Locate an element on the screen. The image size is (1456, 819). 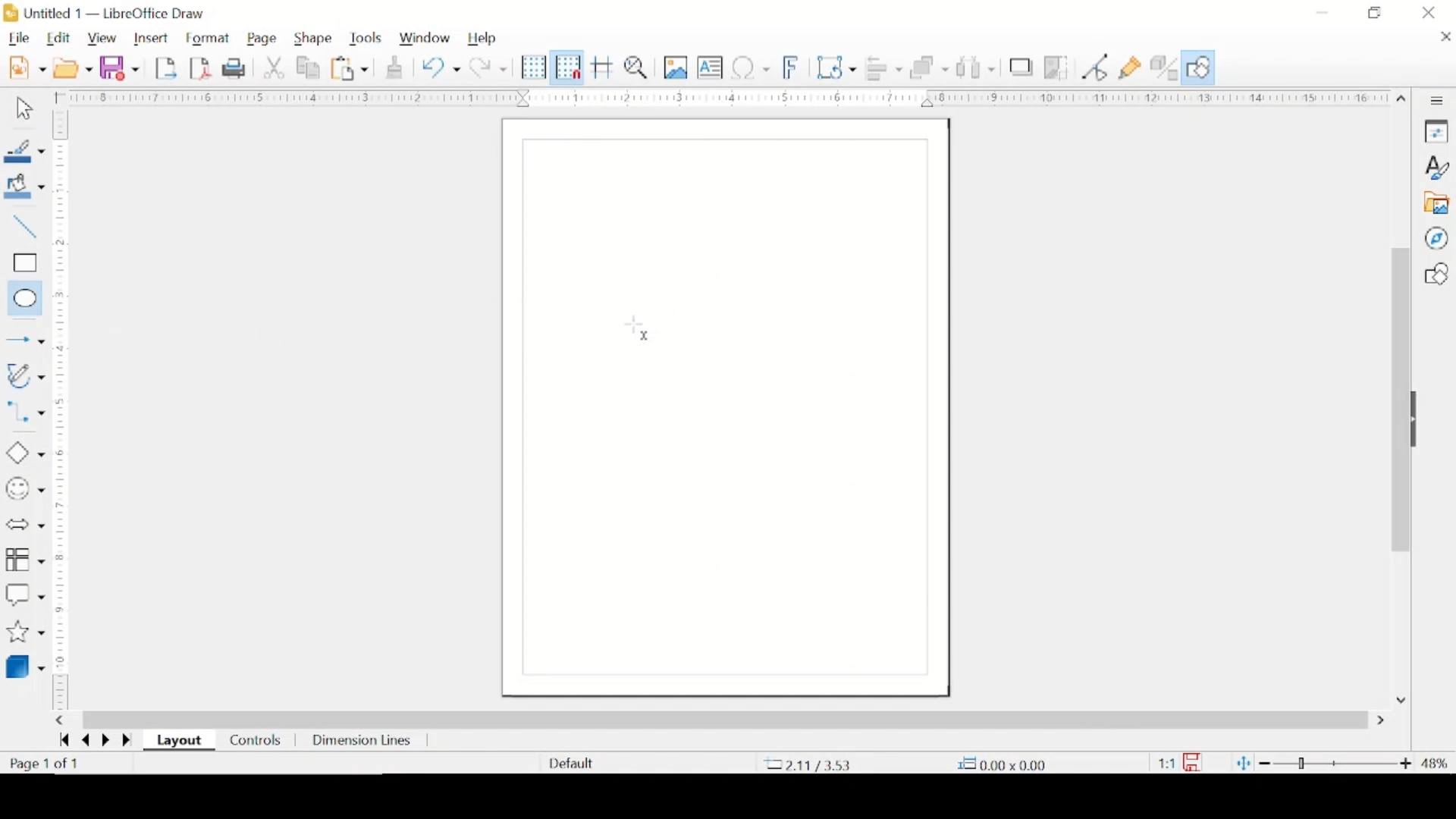
this document has been modified is located at coordinates (1182, 761).